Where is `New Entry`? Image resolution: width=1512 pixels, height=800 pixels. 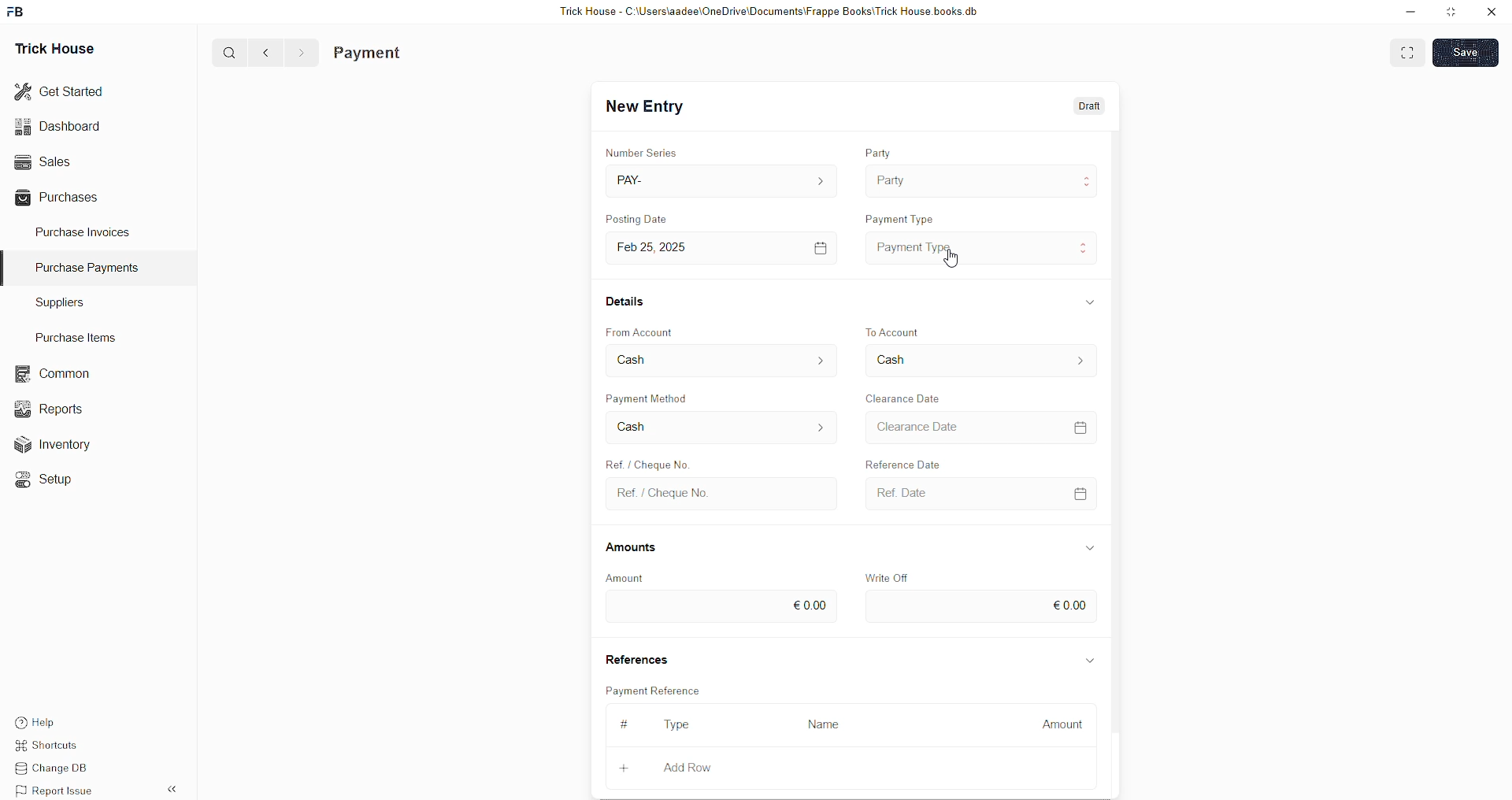
New Entry is located at coordinates (649, 107).